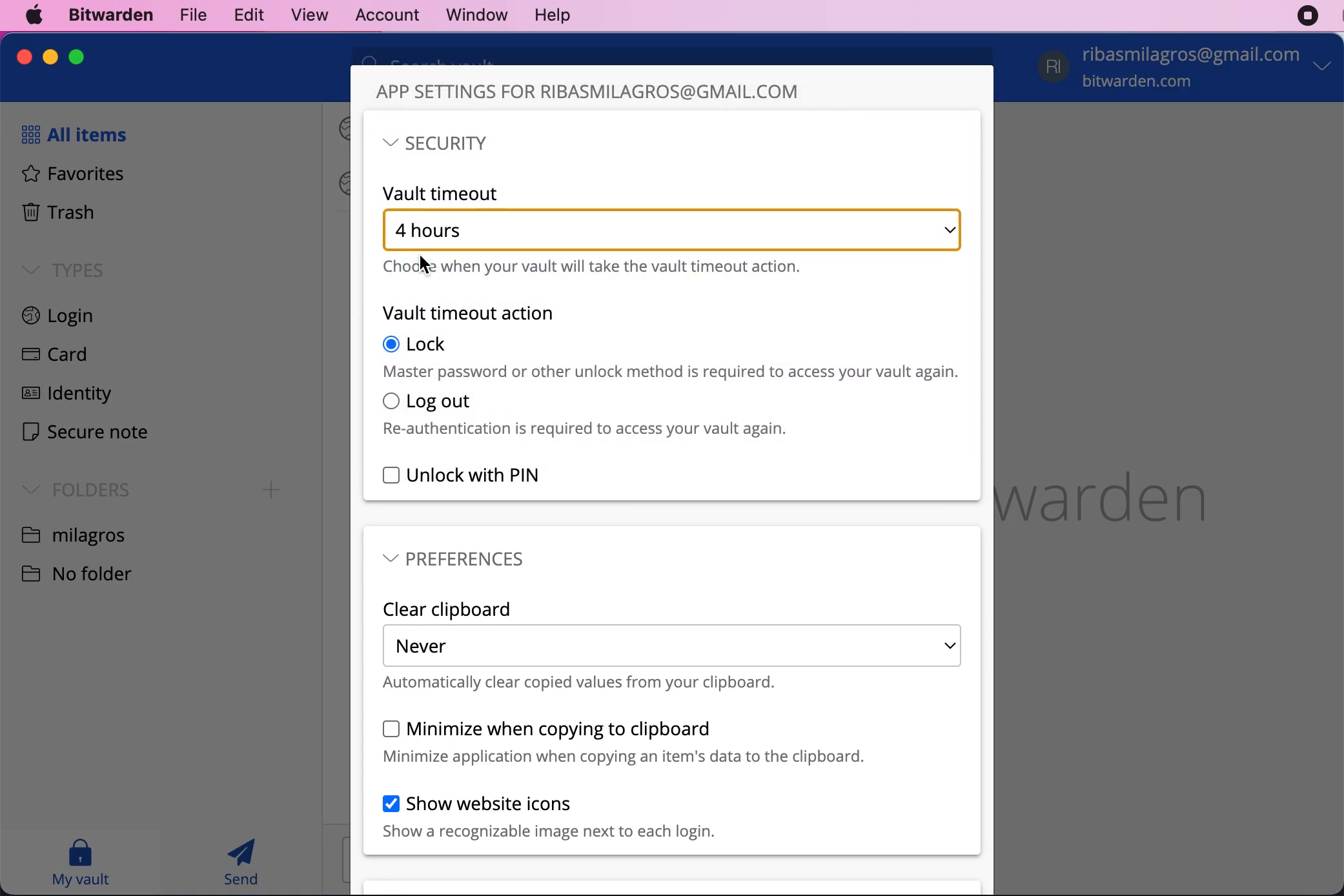  What do you see at coordinates (70, 134) in the screenshot?
I see `all items` at bounding box center [70, 134].